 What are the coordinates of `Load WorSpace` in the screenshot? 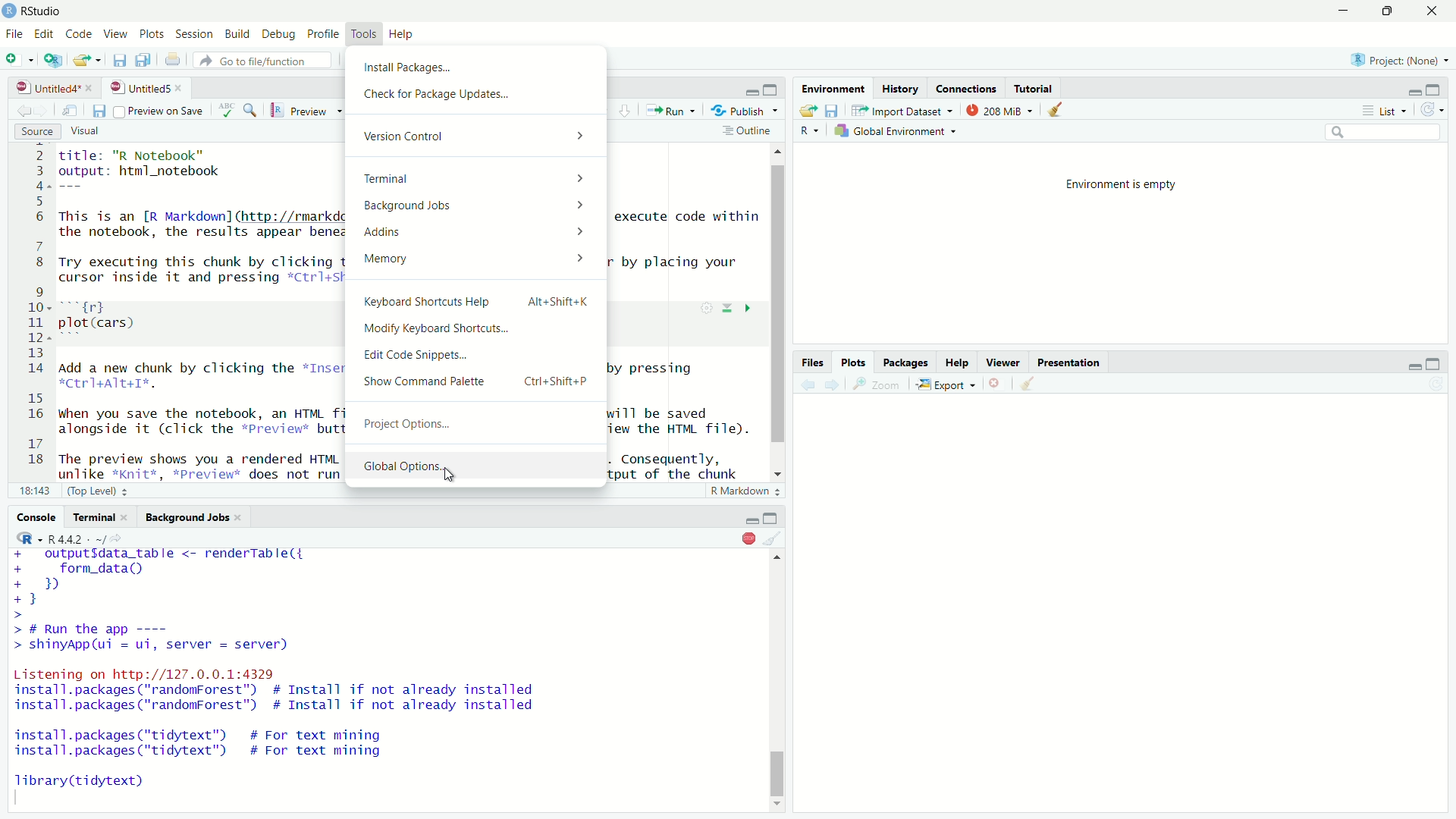 It's located at (807, 110).